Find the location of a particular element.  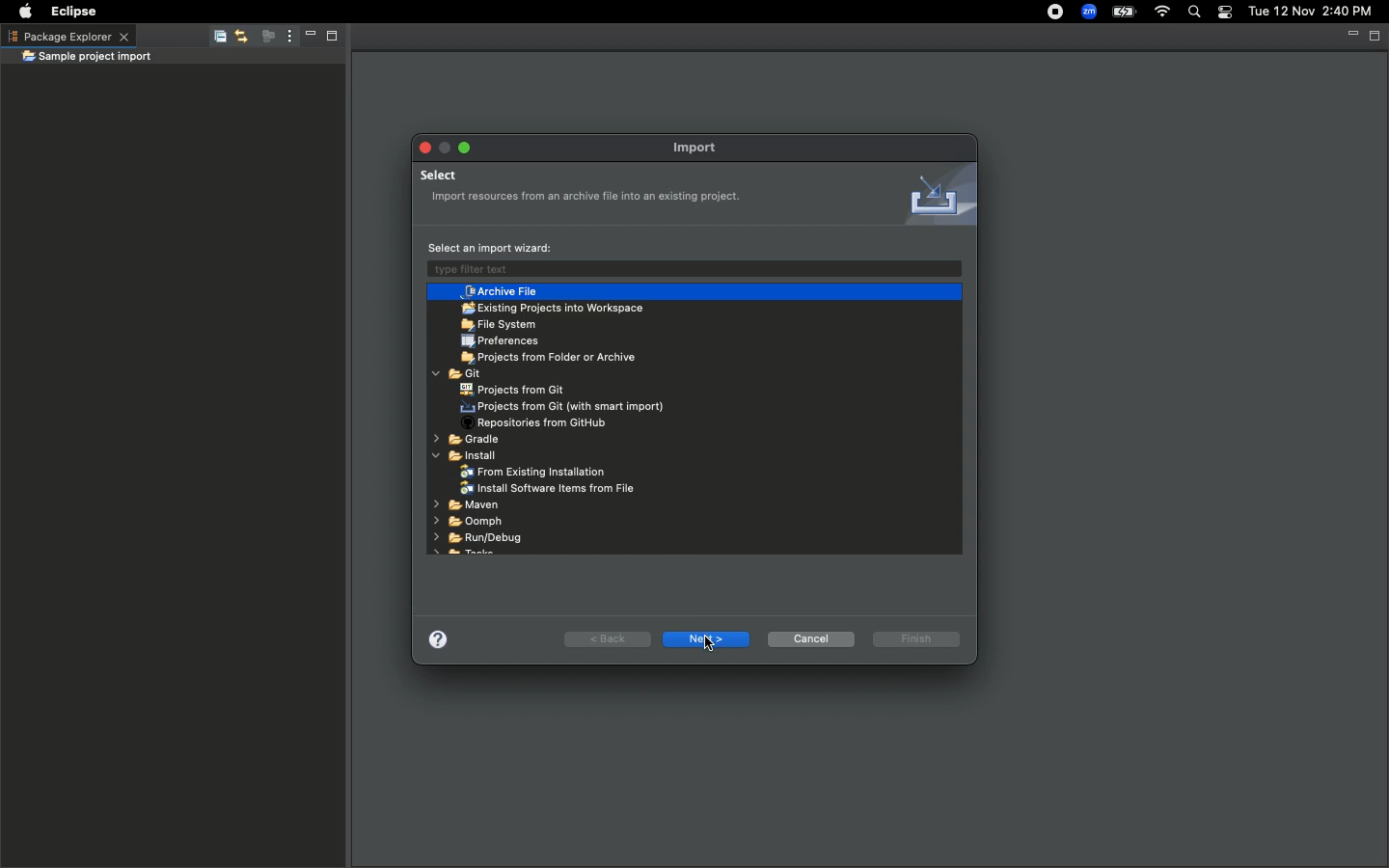

Recording is located at coordinates (1047, 14).